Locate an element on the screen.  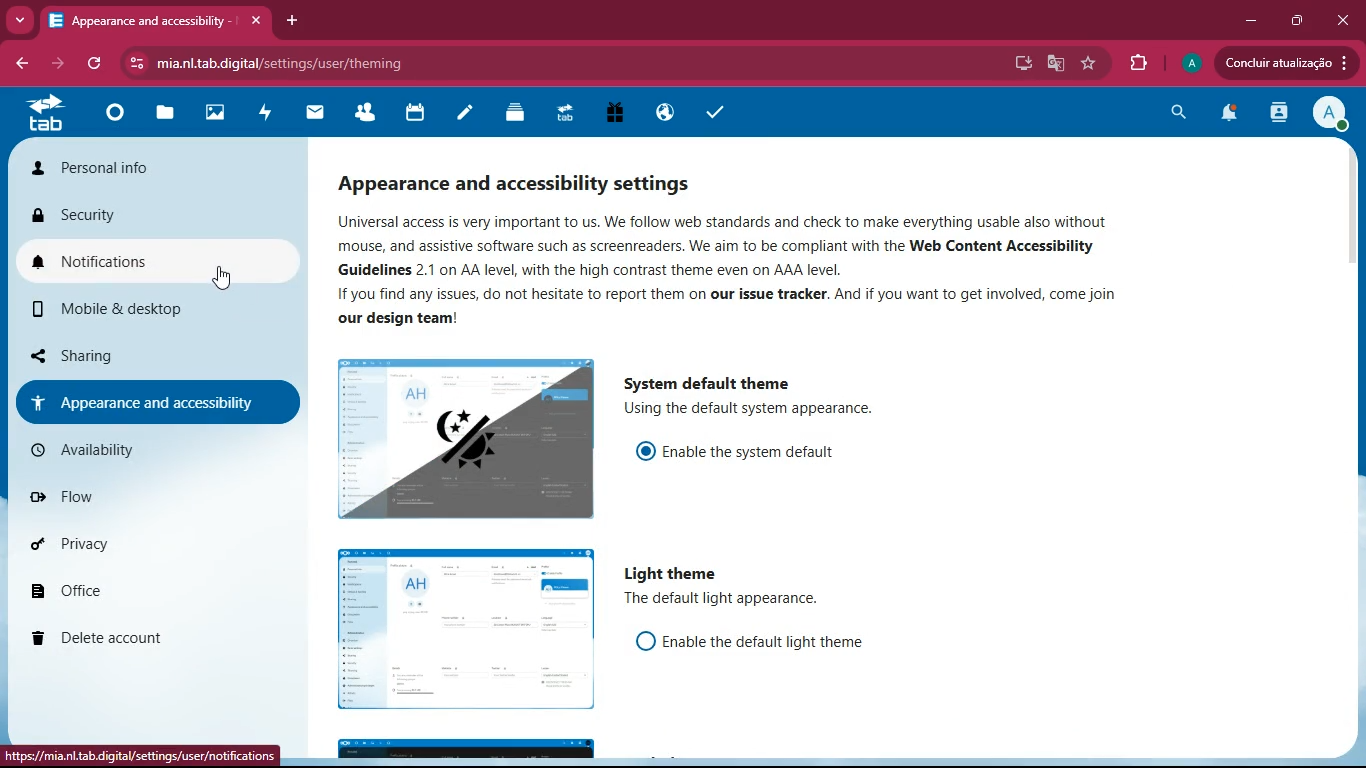
the default theme appearance is located at coordinates (813, 601).